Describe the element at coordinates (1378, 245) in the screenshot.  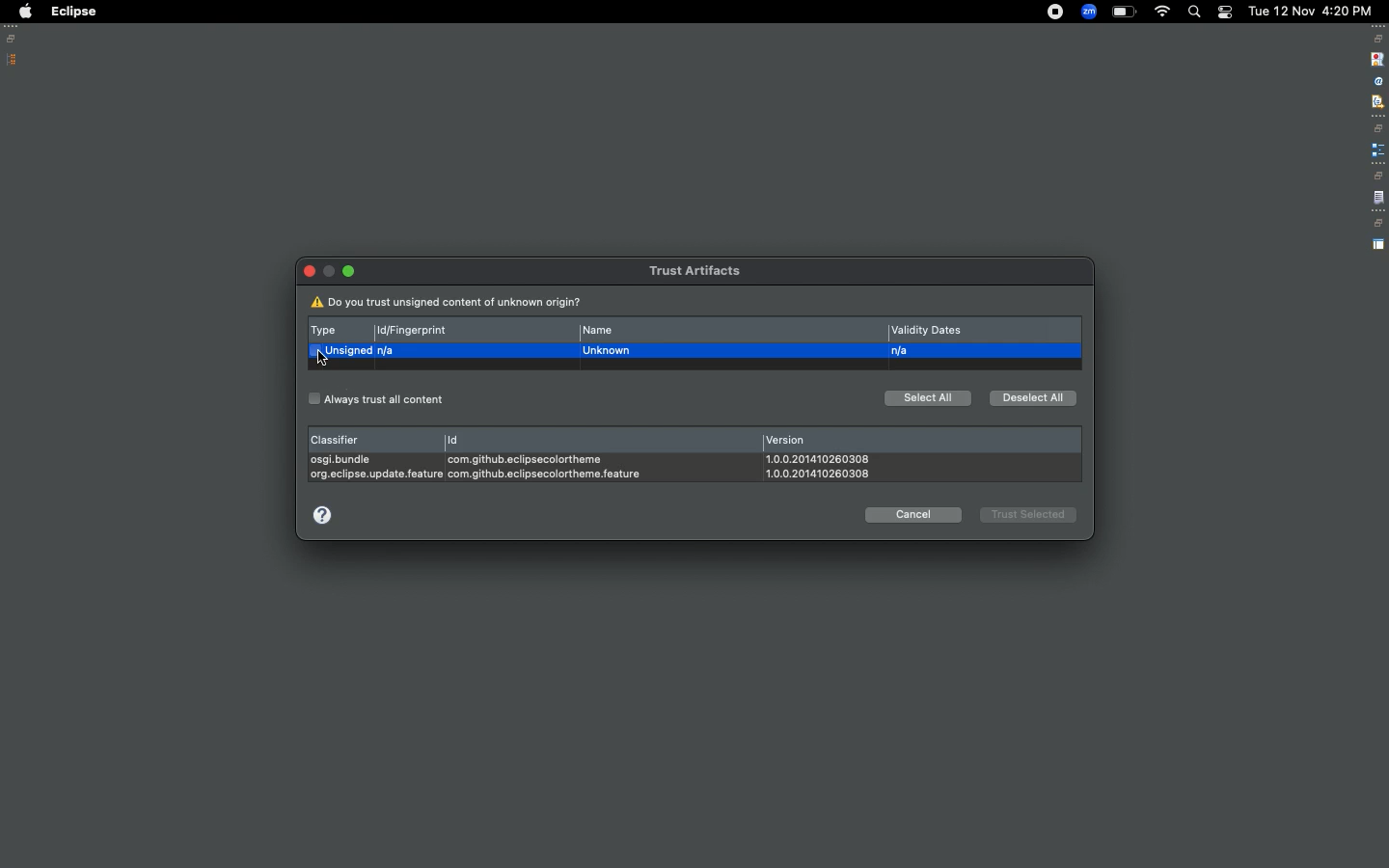
I see `perspective` at that location.